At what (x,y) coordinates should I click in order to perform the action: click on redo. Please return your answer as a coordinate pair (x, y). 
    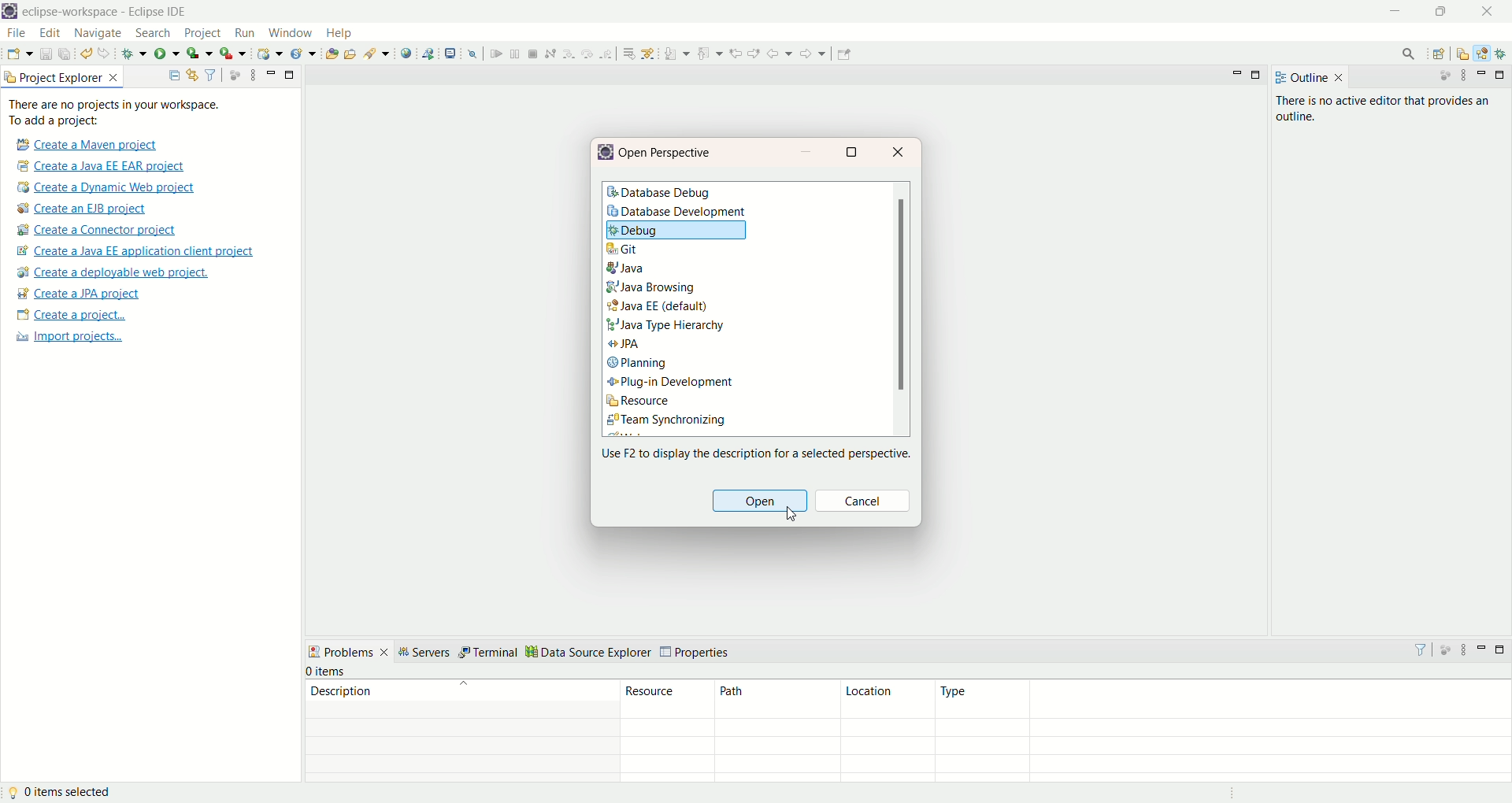
    Looking at the image, I should click on (106, 54).